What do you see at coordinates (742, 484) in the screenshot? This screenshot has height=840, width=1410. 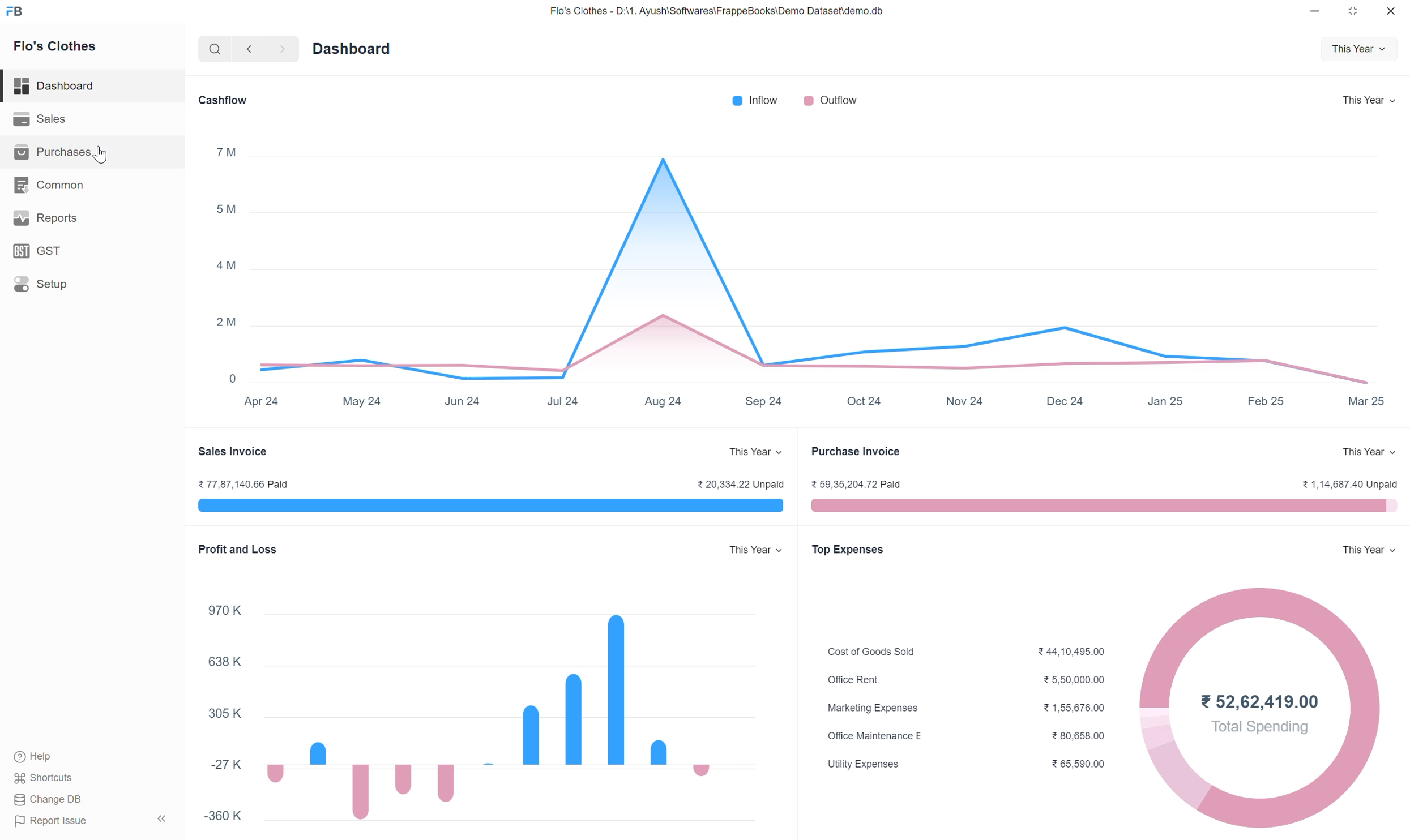 I see `₹ 20,334.22 Unpaid` at bounding box center [742, 484].